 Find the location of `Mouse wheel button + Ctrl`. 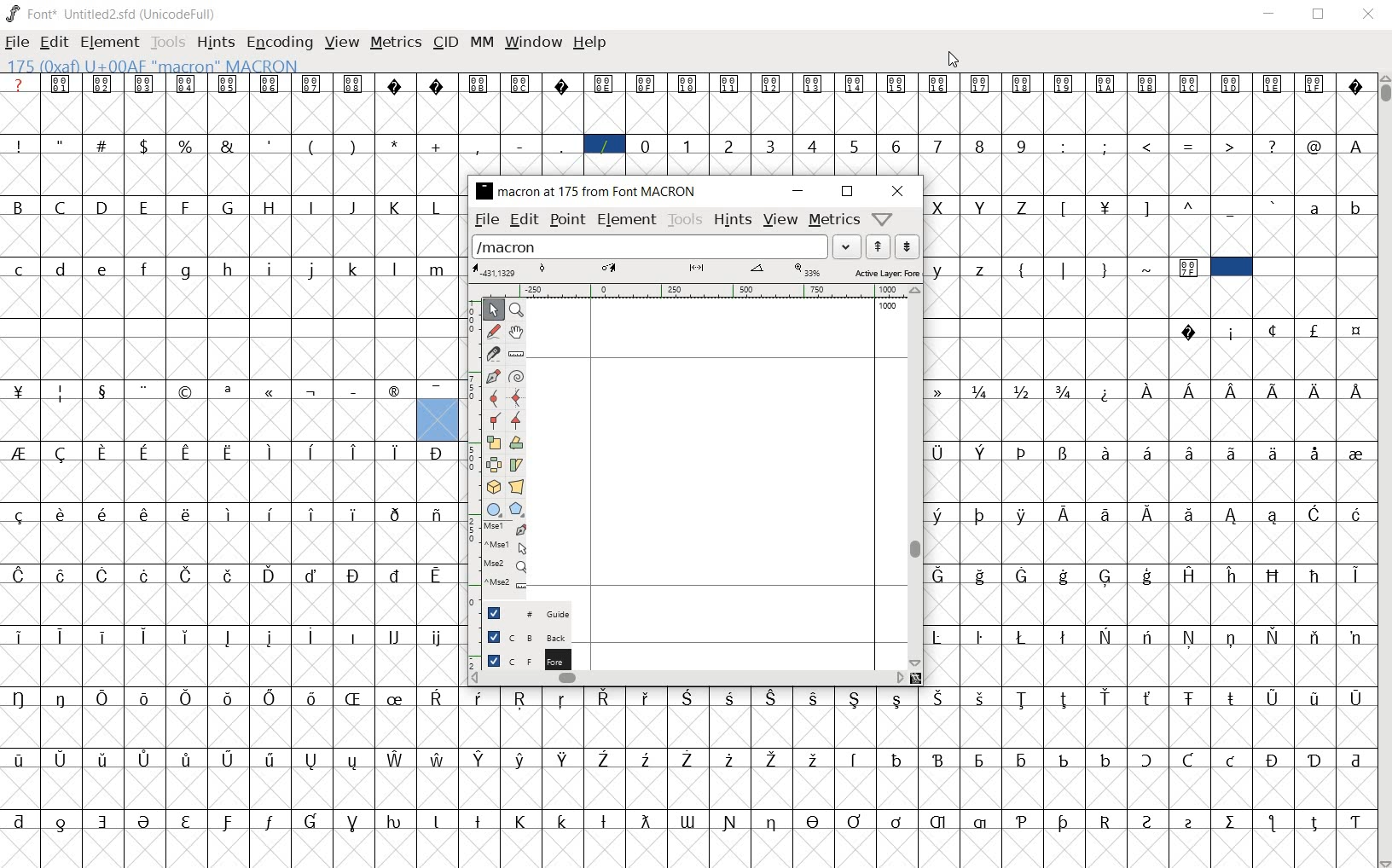

Mouse wheel button + Ctrl is located at coordinates (513, 584).